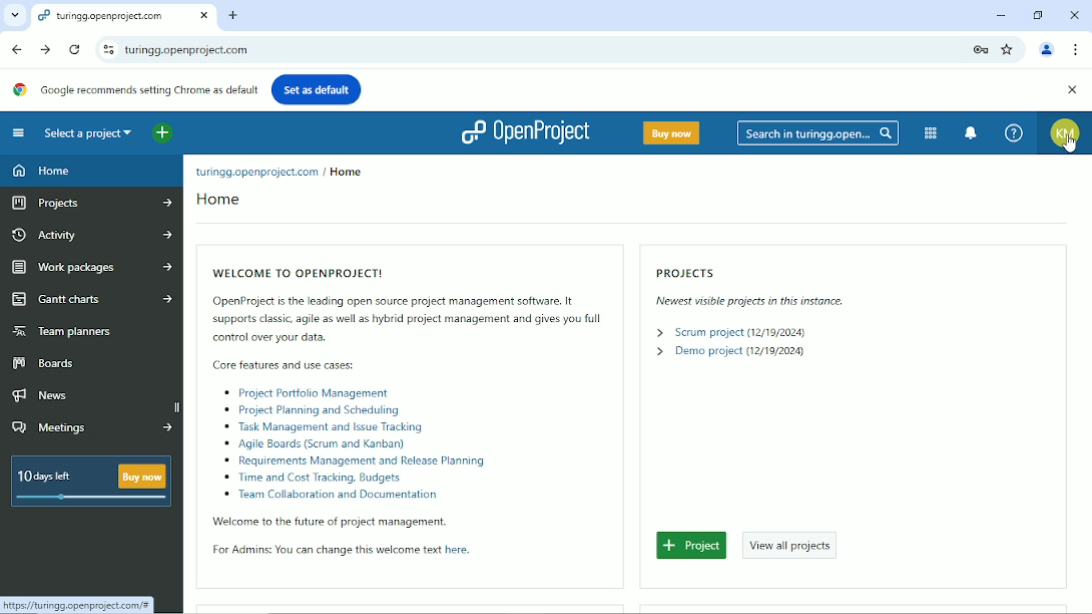 The height and width of the screenshot is (614, 1092). I want to click on Reload this page, so click(74, 50).